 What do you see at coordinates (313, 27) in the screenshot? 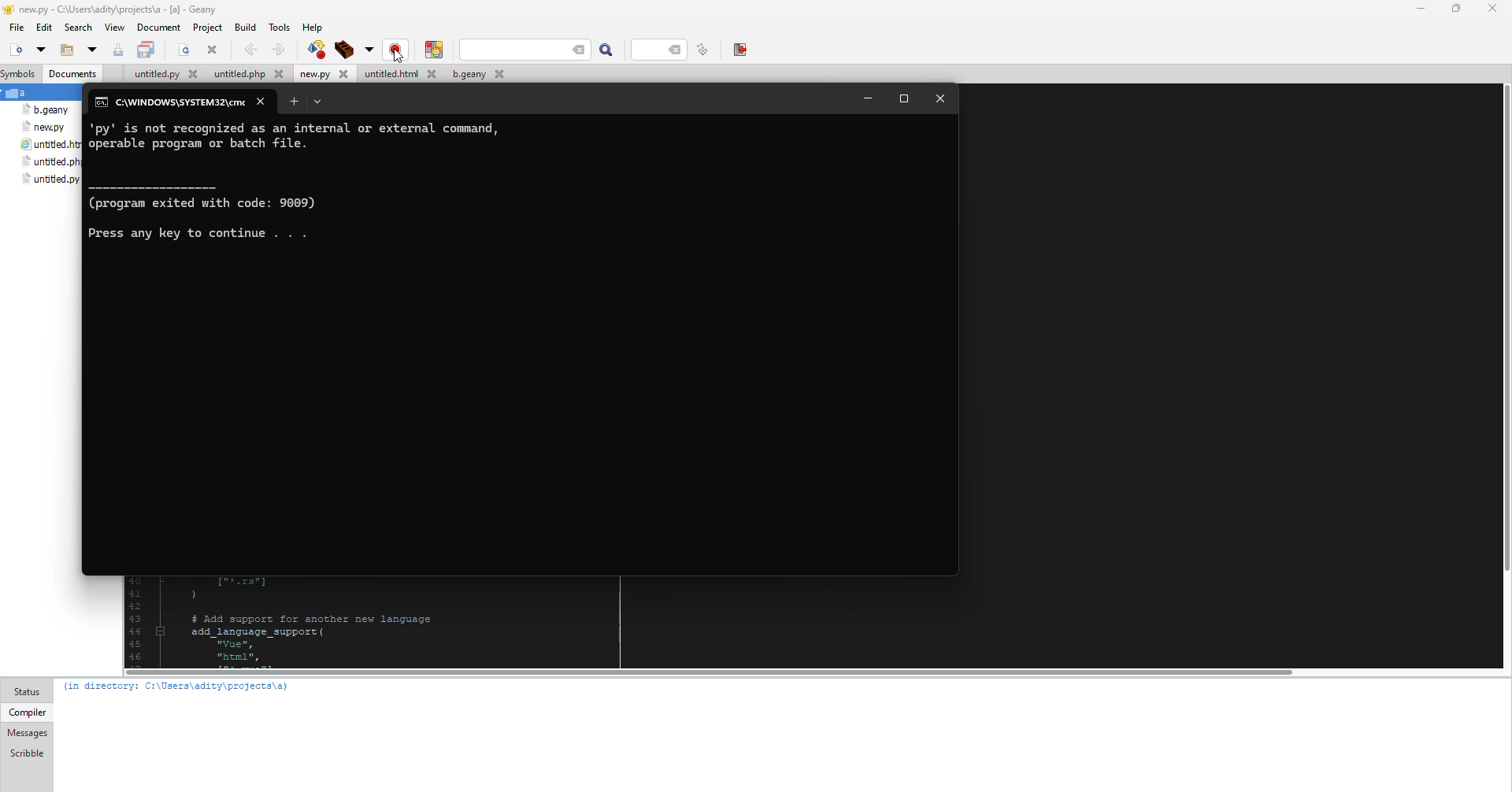
I see `help` at bounding box center [313, 27].